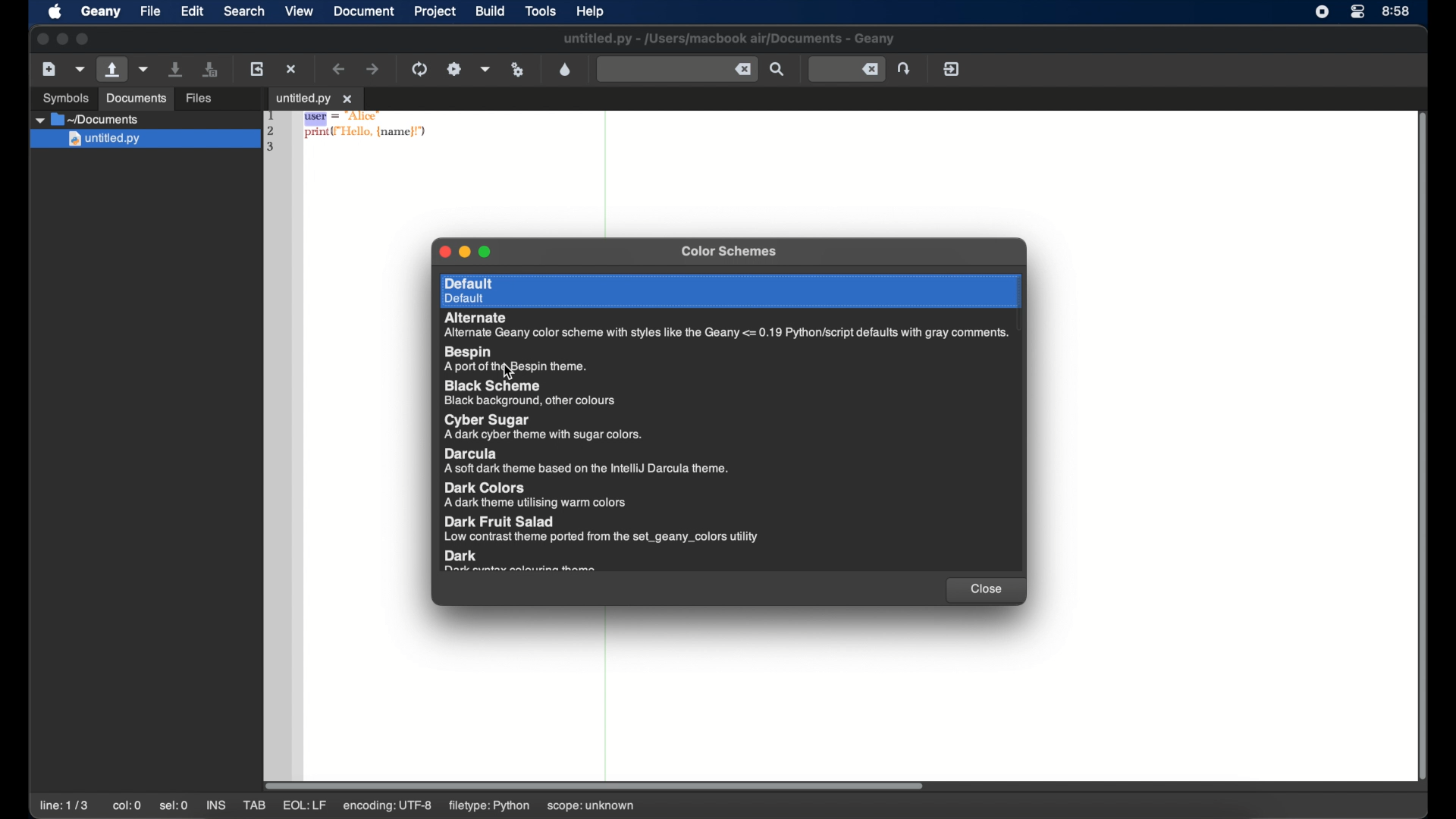 This screenshot has height=819, width=1456. Describe the element at coordinates (83, 39) in the screenshot. I see `maximize` at that location.